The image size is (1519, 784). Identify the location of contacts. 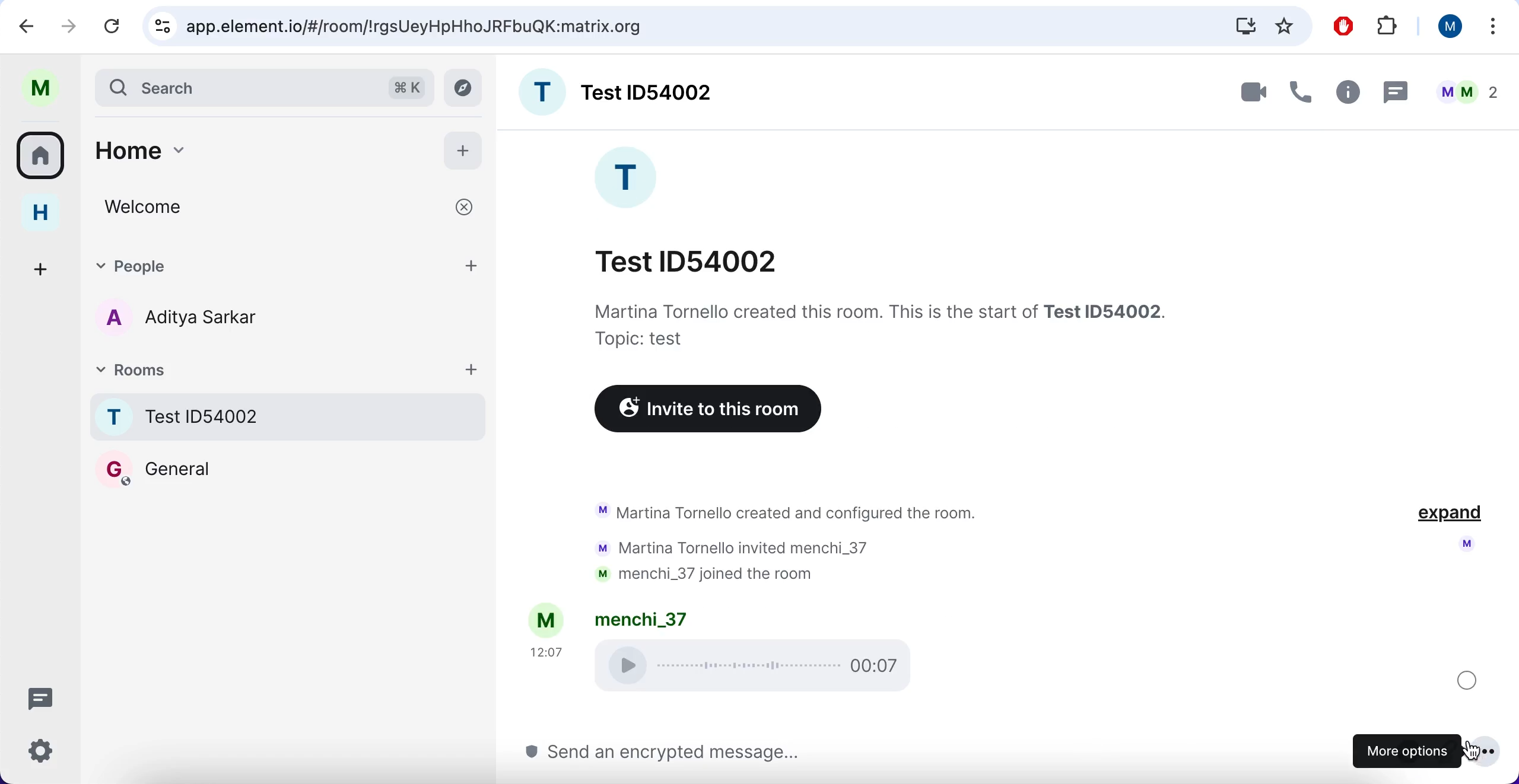
(172, 320).